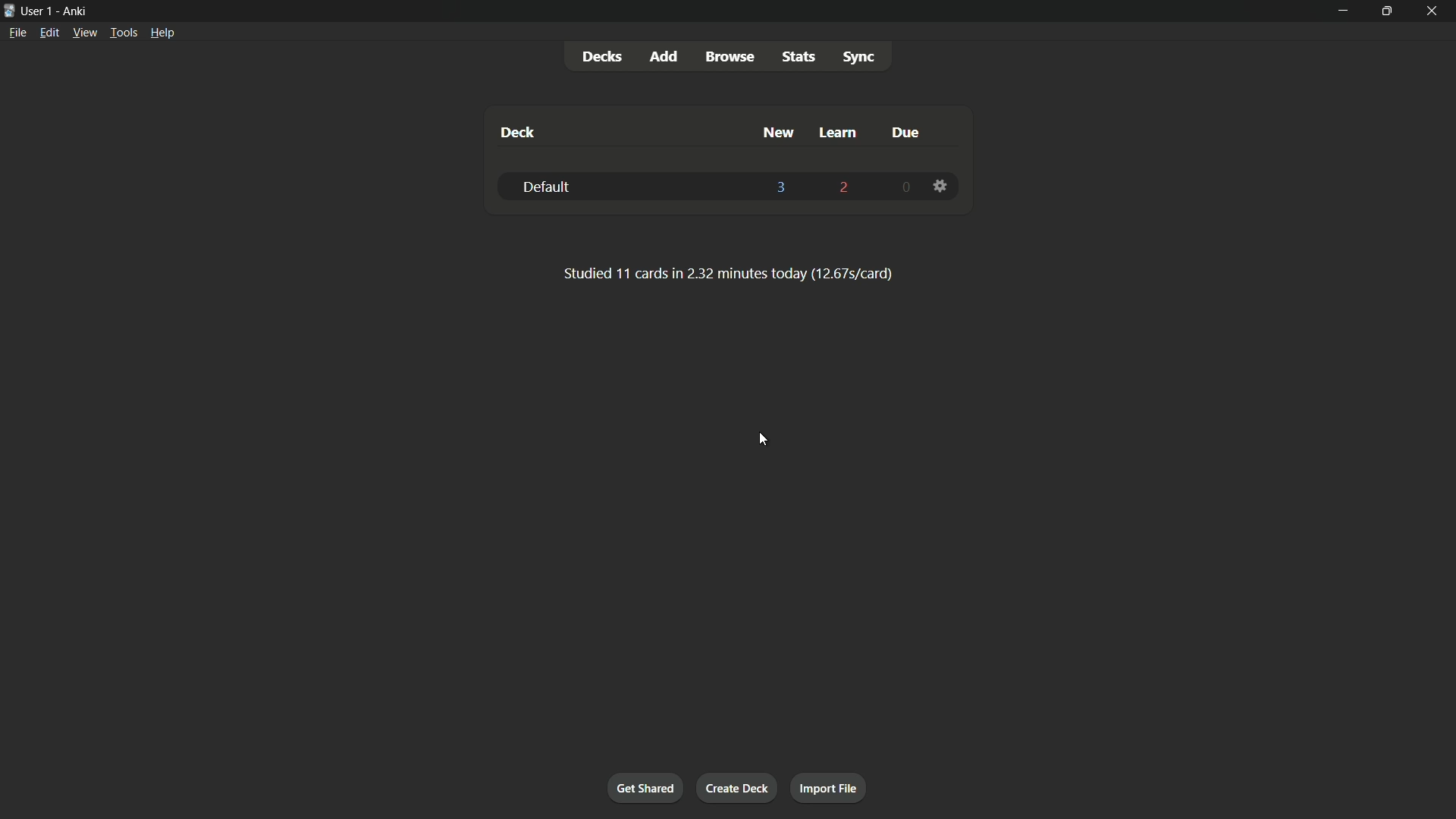 The width and height of the screenshot is (1456, 819). I want to click on user 1, so click(39, 11).